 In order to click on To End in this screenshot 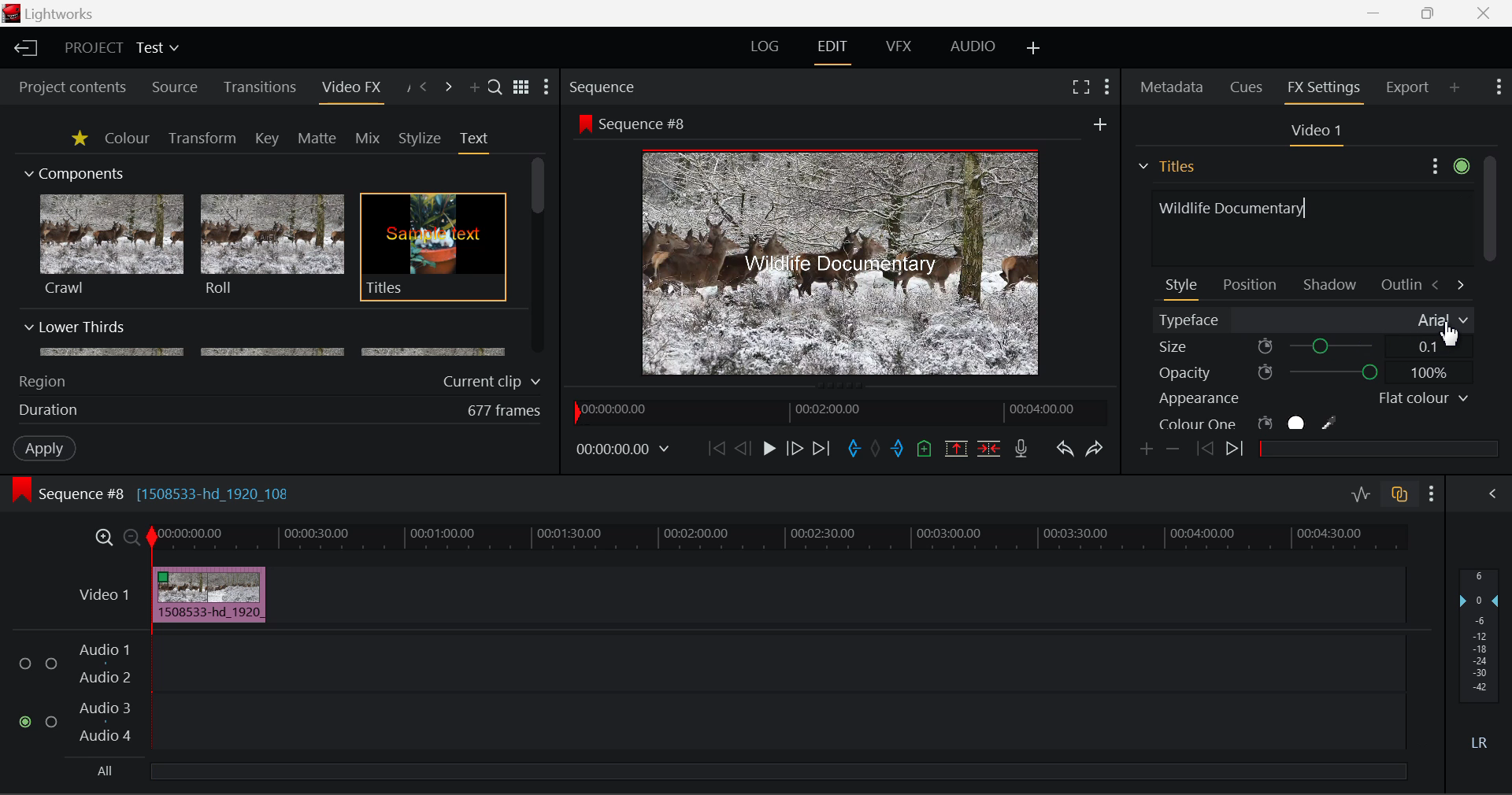, I will do `click(822, 451)`.